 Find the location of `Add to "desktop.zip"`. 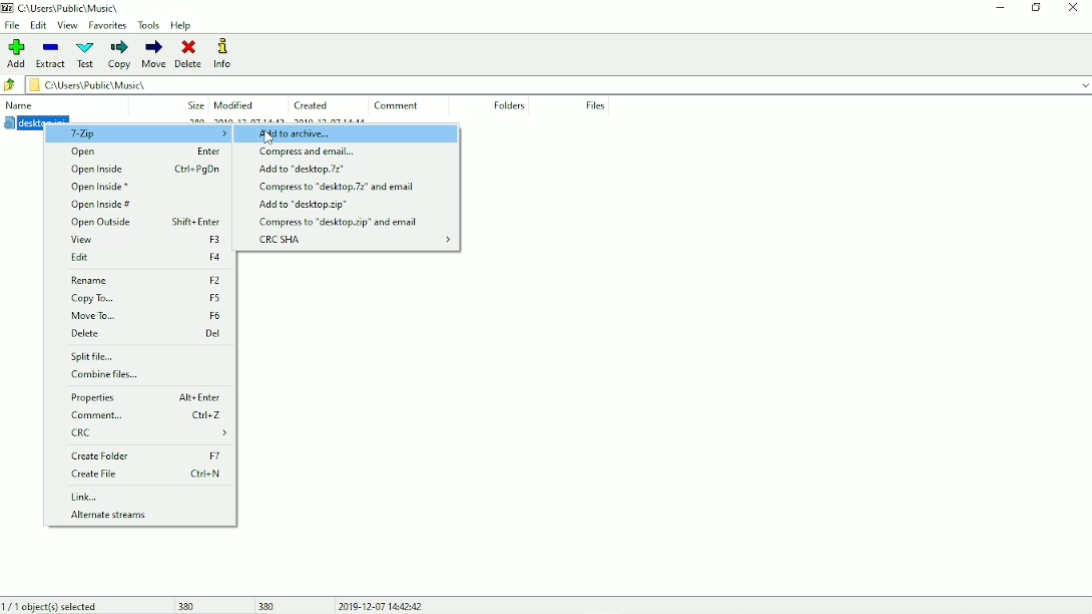

Add to "desktop.zip" is located at coordinates (306, 205).